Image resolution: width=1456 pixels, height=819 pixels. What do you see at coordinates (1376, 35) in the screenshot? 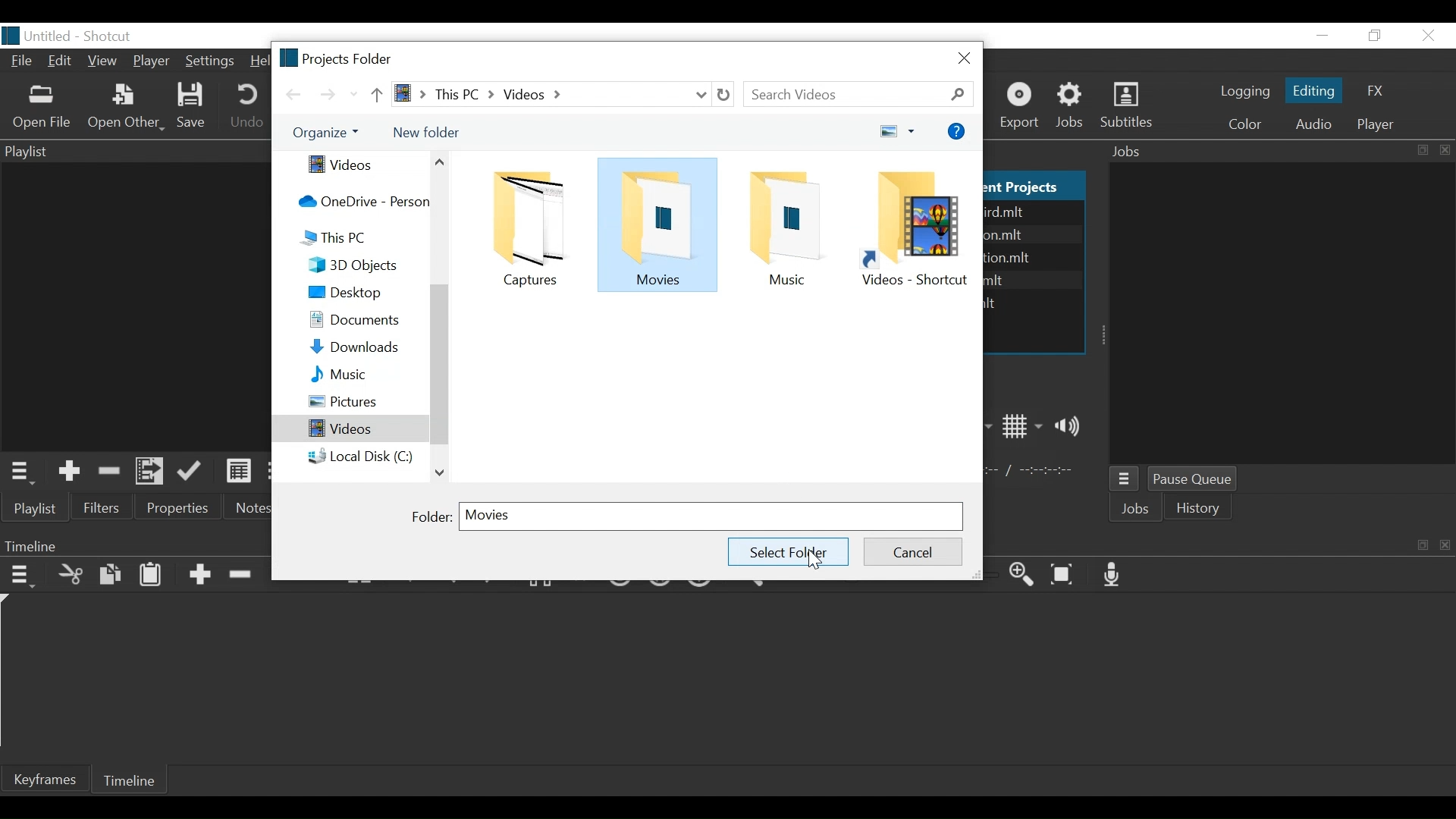
I see `Restore` at bounding box center [1376, 35].